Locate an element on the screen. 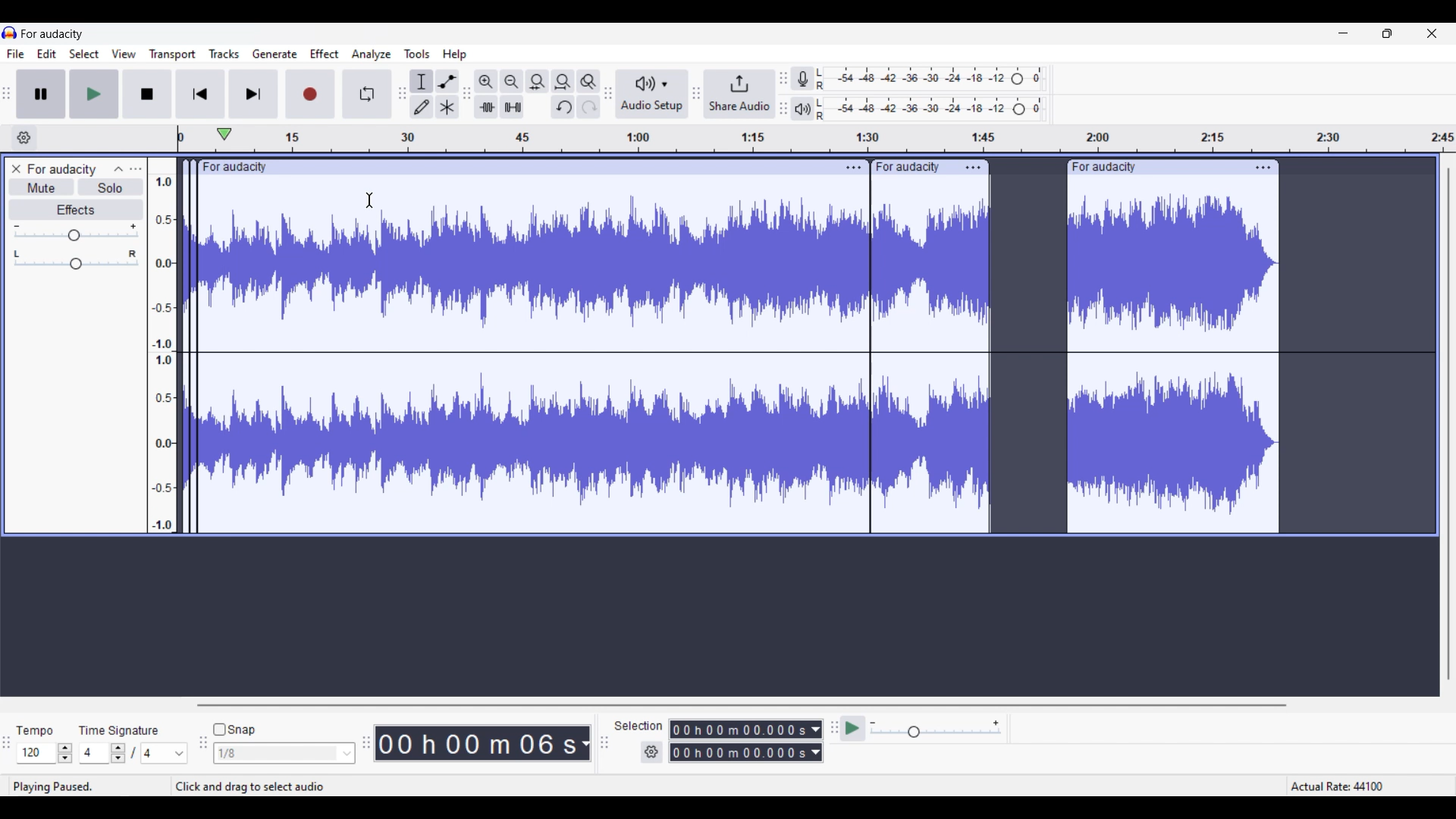  selection is located at coordinates (639, 726).